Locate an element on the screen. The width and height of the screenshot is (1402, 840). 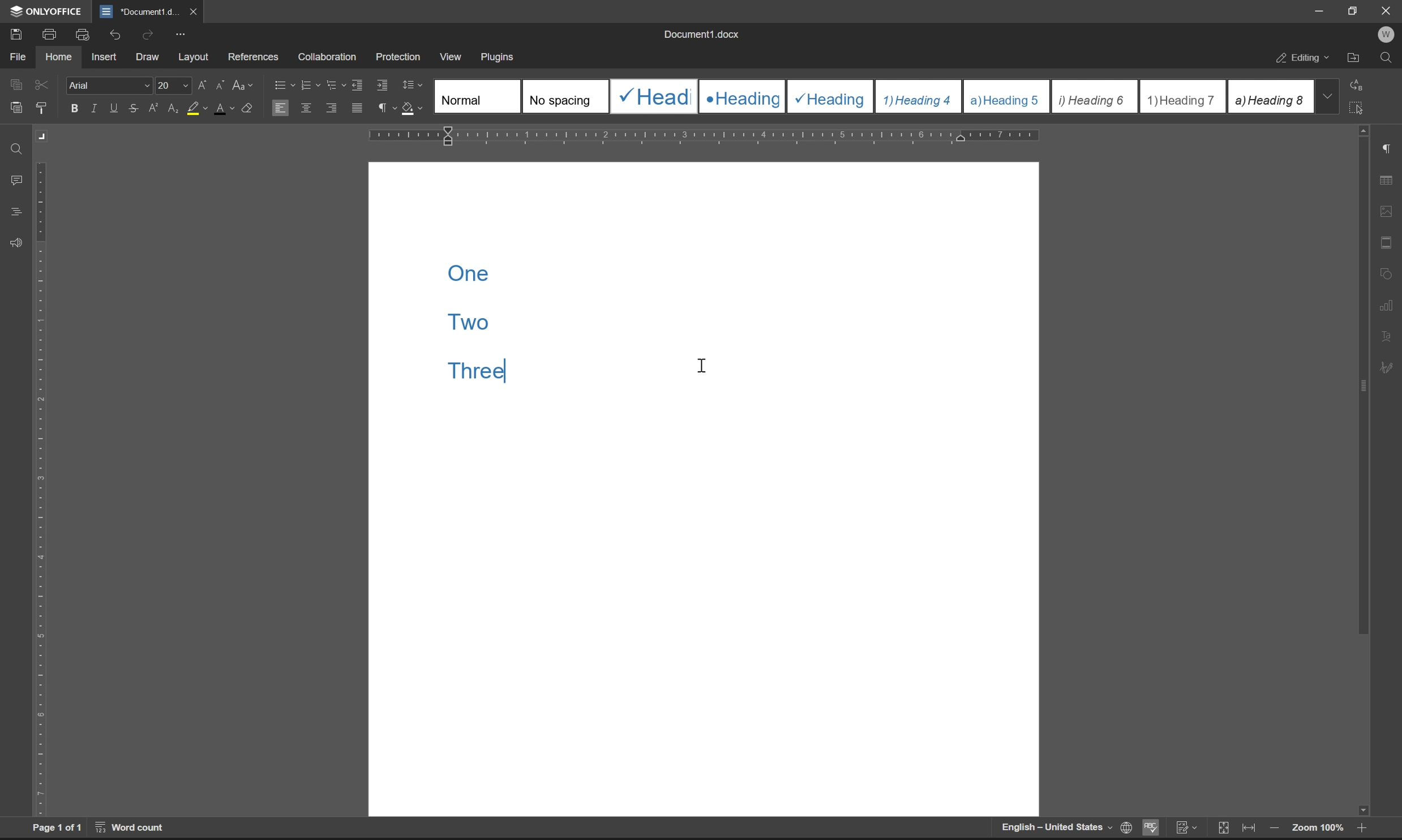
fit to width is located at coordinates (1249, 828).